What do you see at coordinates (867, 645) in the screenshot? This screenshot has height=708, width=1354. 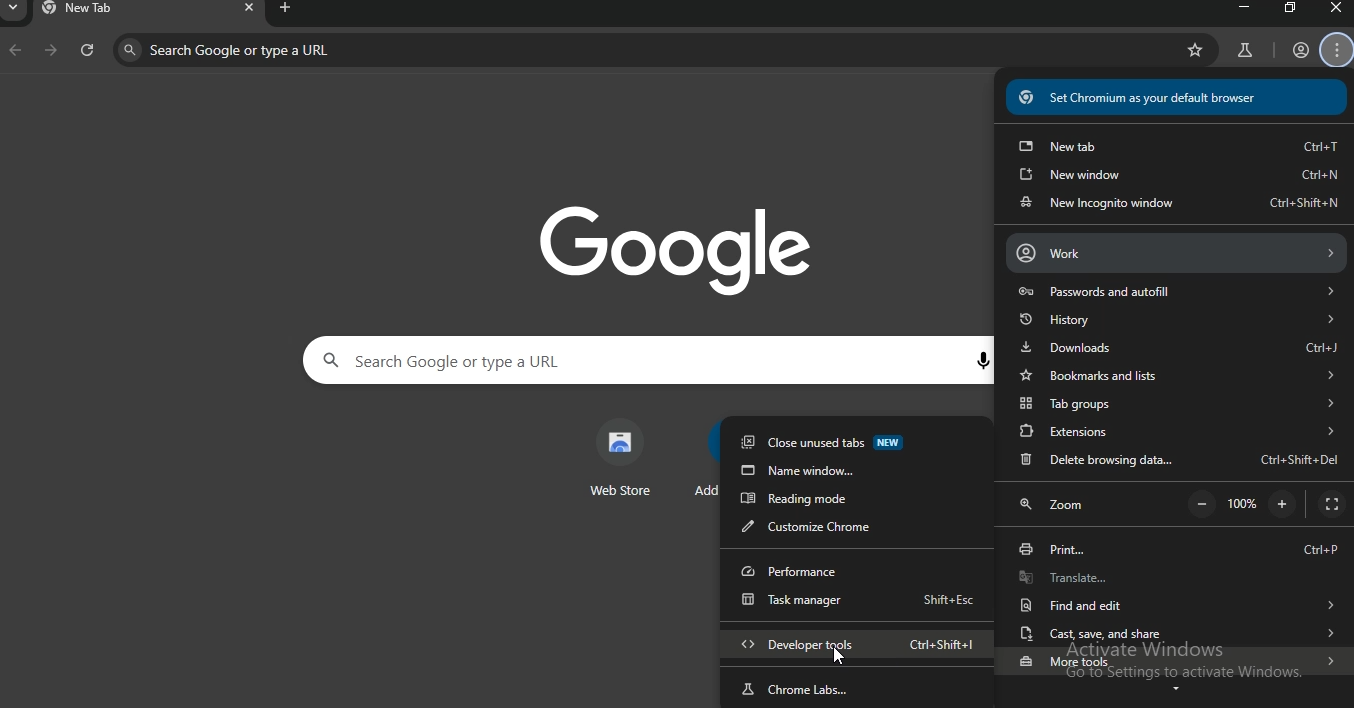 I see `developer tools` at bounding box center [867, 645].